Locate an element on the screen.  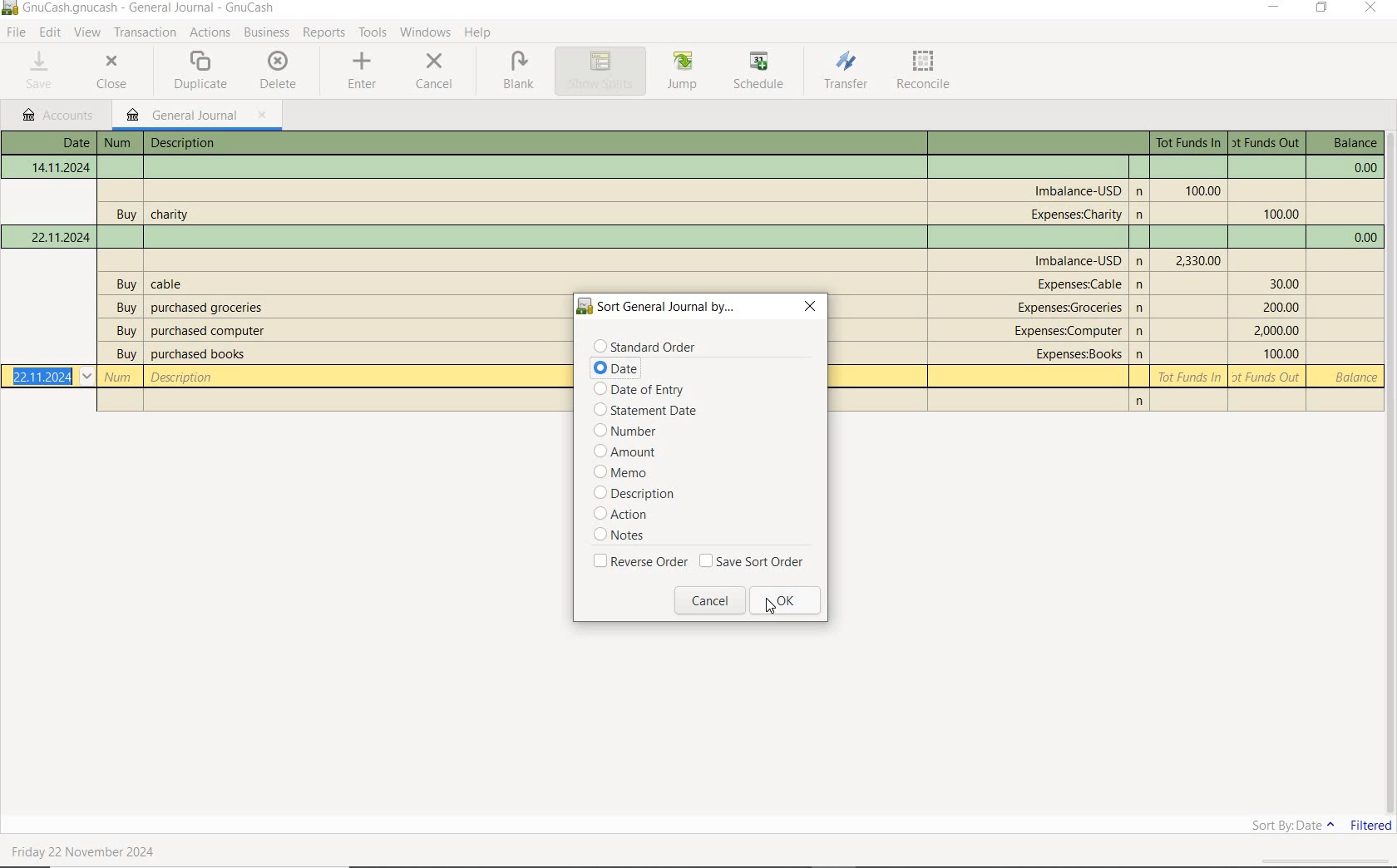
BUSINESS is located at coordinates (267, 33).